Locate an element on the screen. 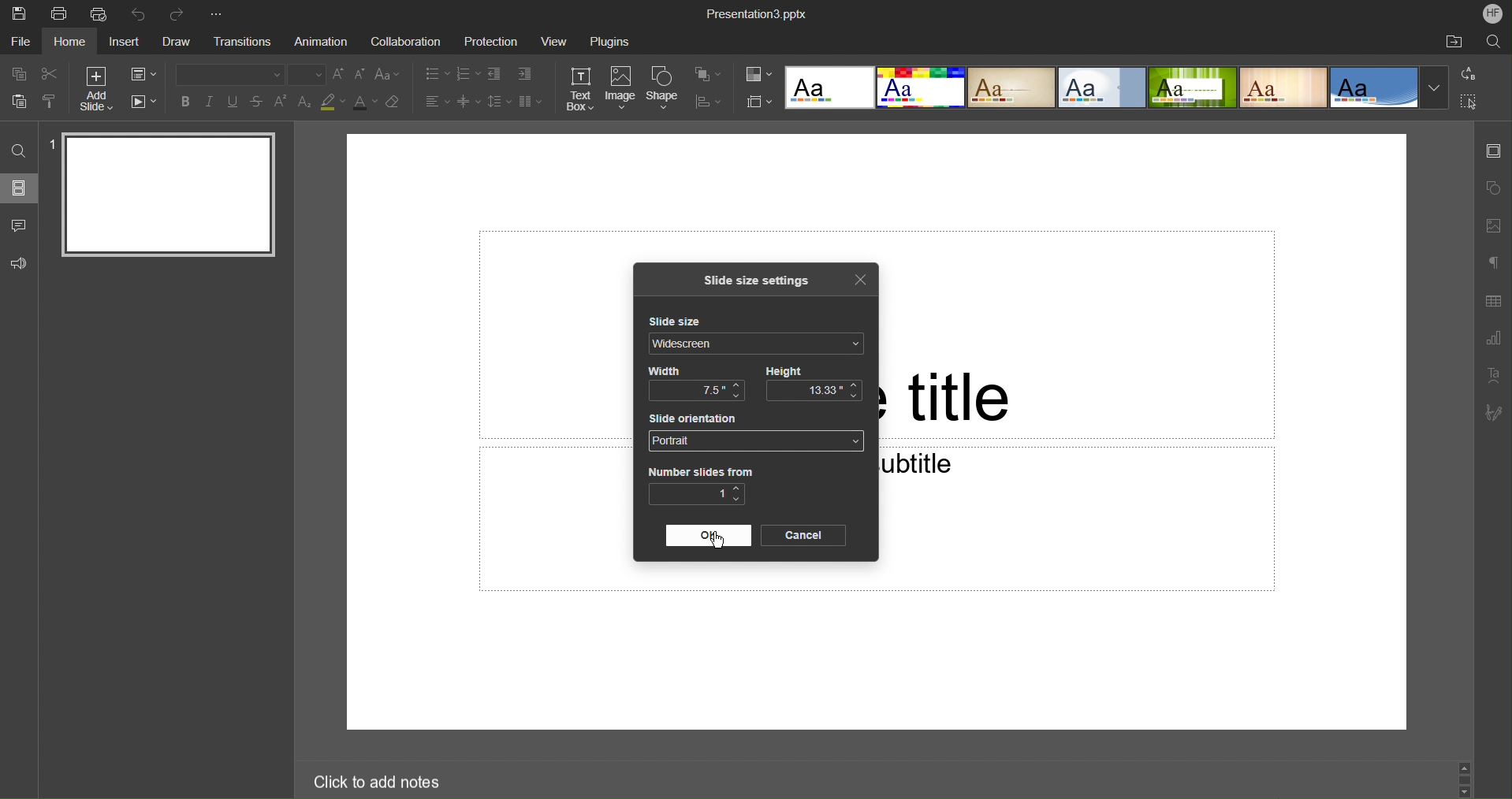 This screenshot has height=799, width=1512. Align is located at coordinates (709, 102).